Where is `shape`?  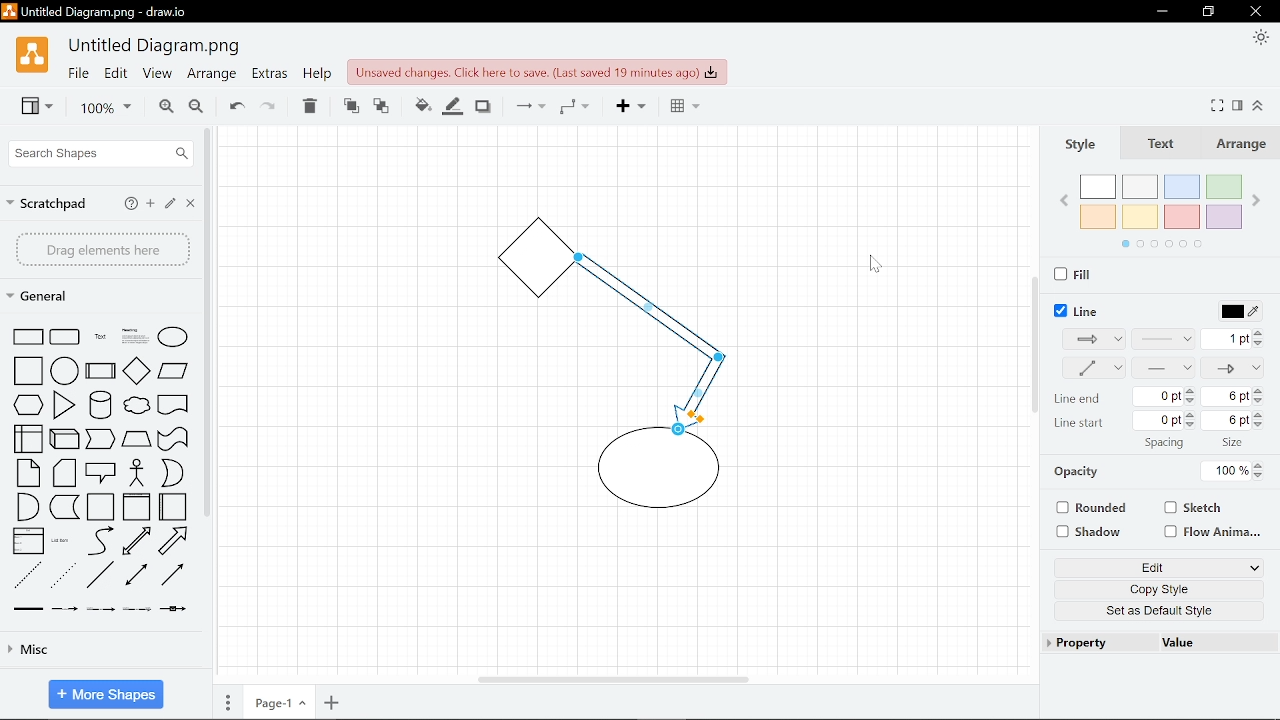 shape is located at coordinates (173, 439).